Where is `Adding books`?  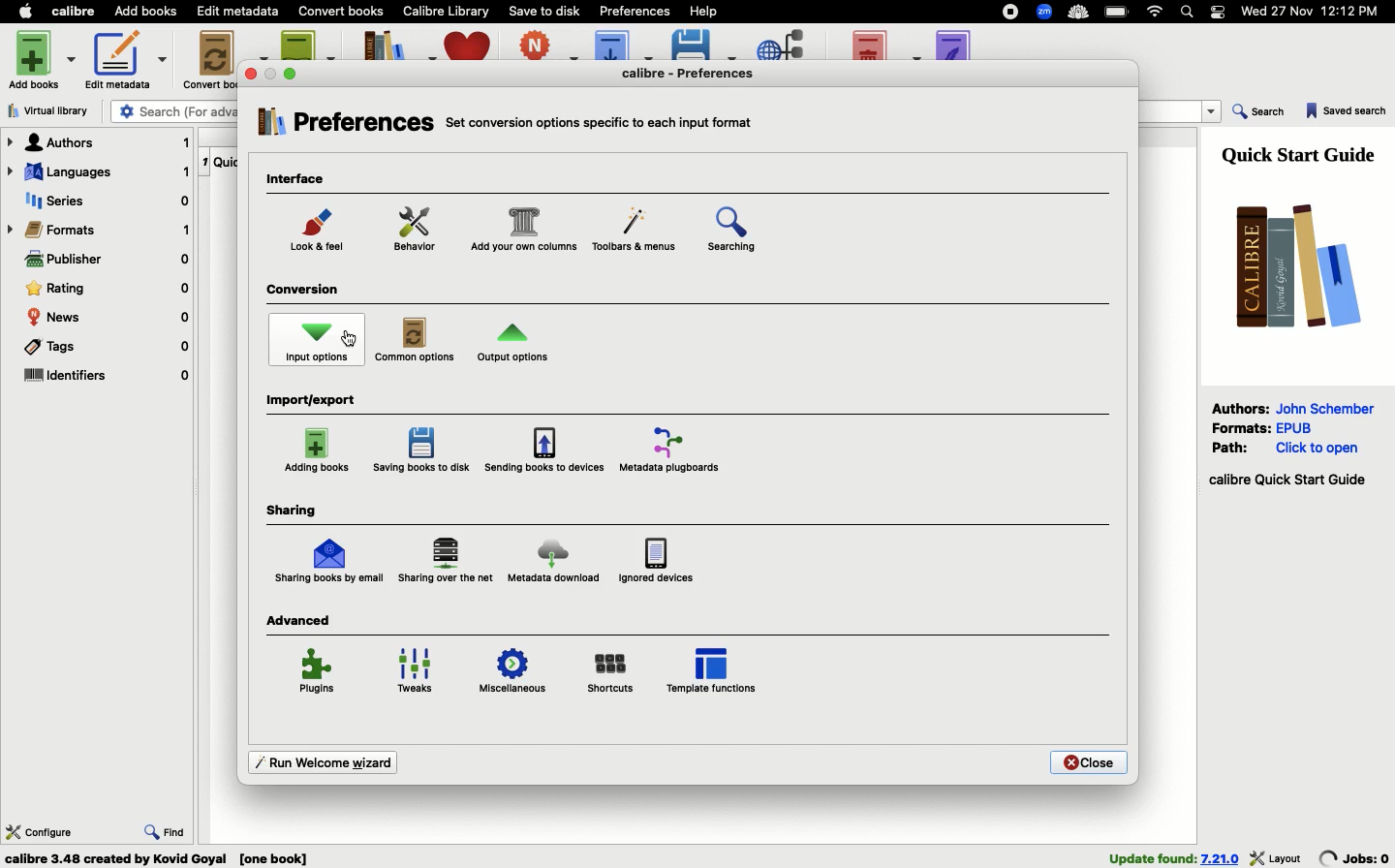 Adding books is located at coordinates (319, 450).